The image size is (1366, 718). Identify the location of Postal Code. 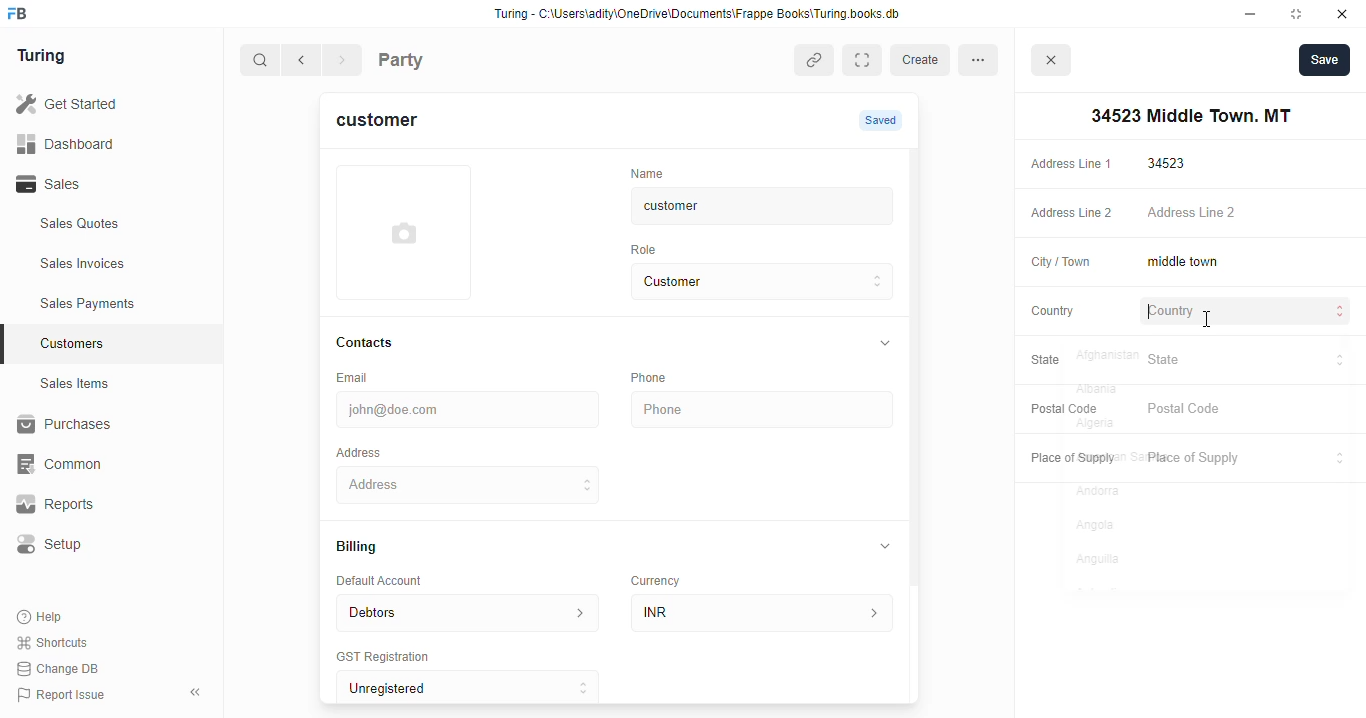
(1061, 408).